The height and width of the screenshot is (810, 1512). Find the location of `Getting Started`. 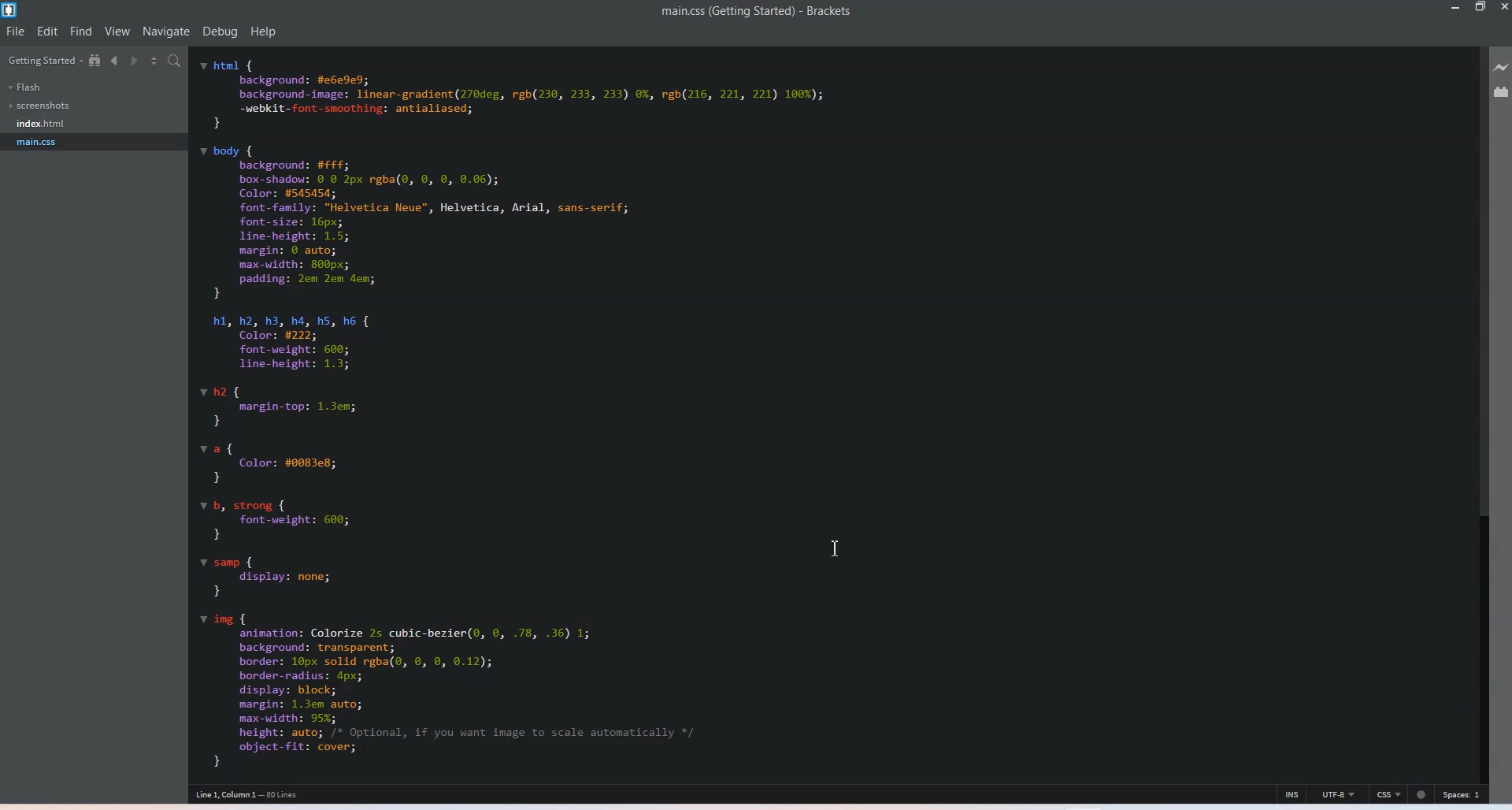

Getting Started is located at coordinates (46, 61).